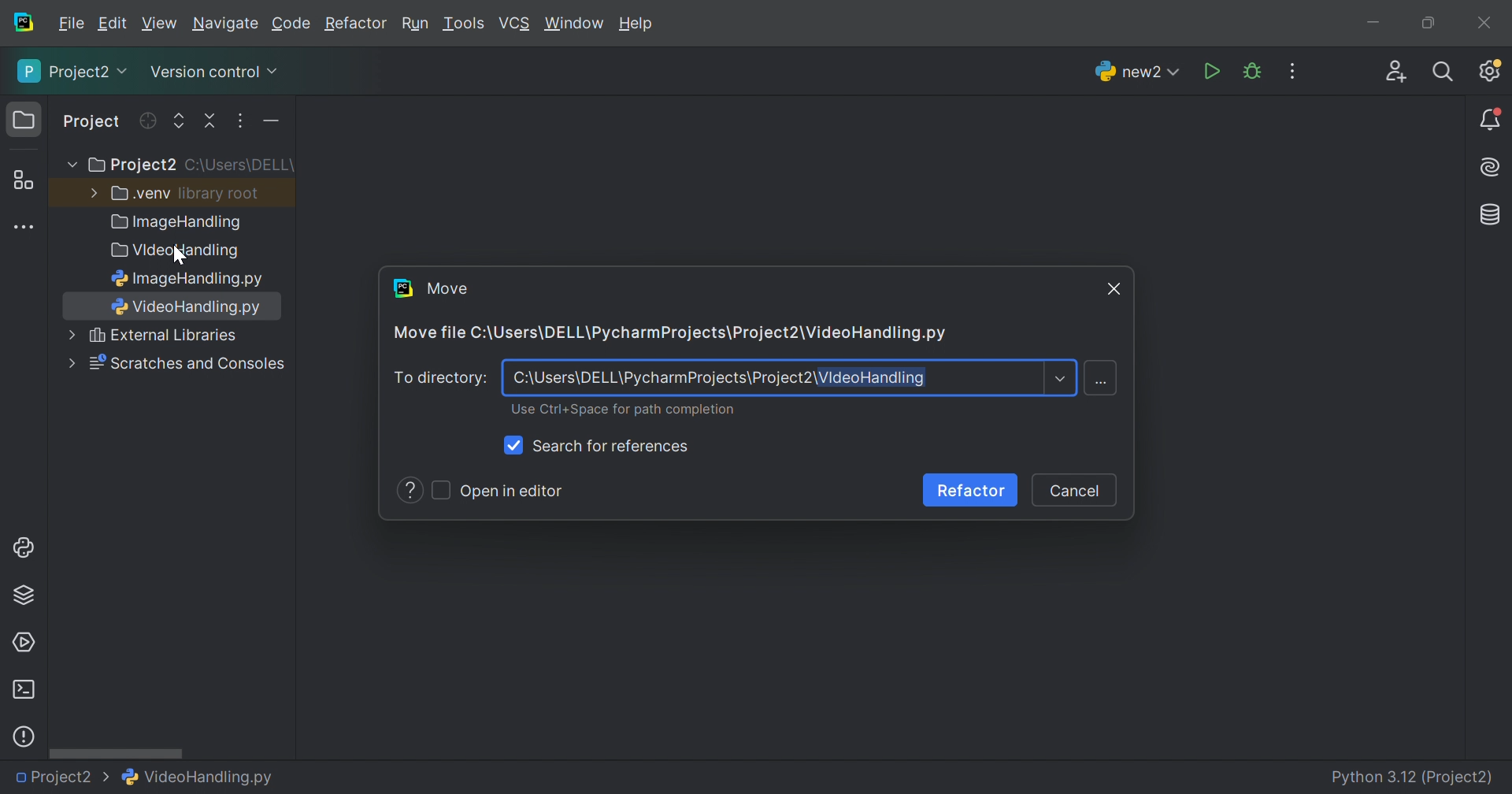 The width and height of the screenshot is (1512, 794). Describe the element at coordinates (1073, 492) in the screenshot. I see `Cancel` at that location.